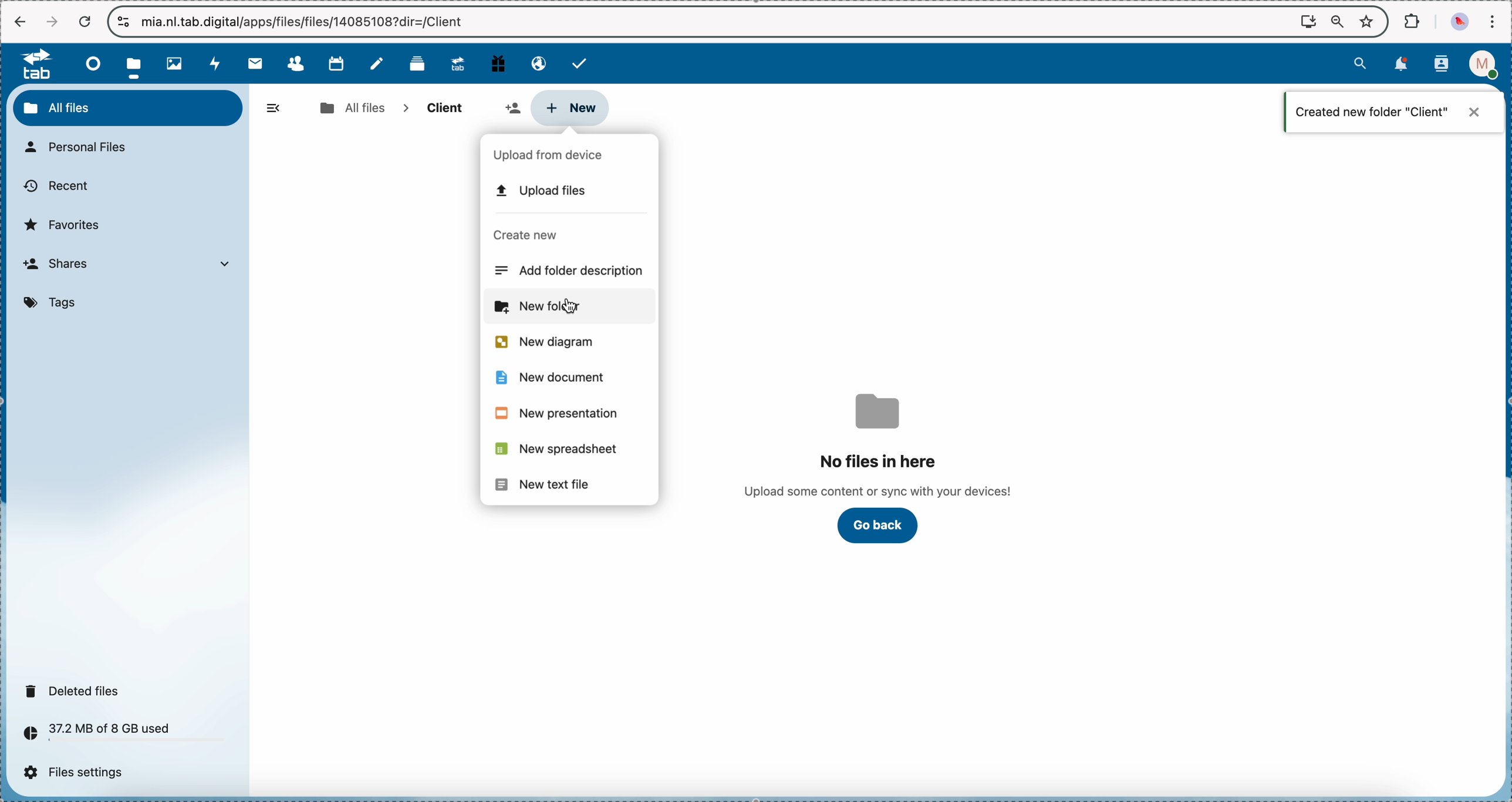 This screenshot has height=802, width=1512. What do you see at coordinates (581, 63) in the screenshot?
I see `tasks` at bounding box center [581, 63].